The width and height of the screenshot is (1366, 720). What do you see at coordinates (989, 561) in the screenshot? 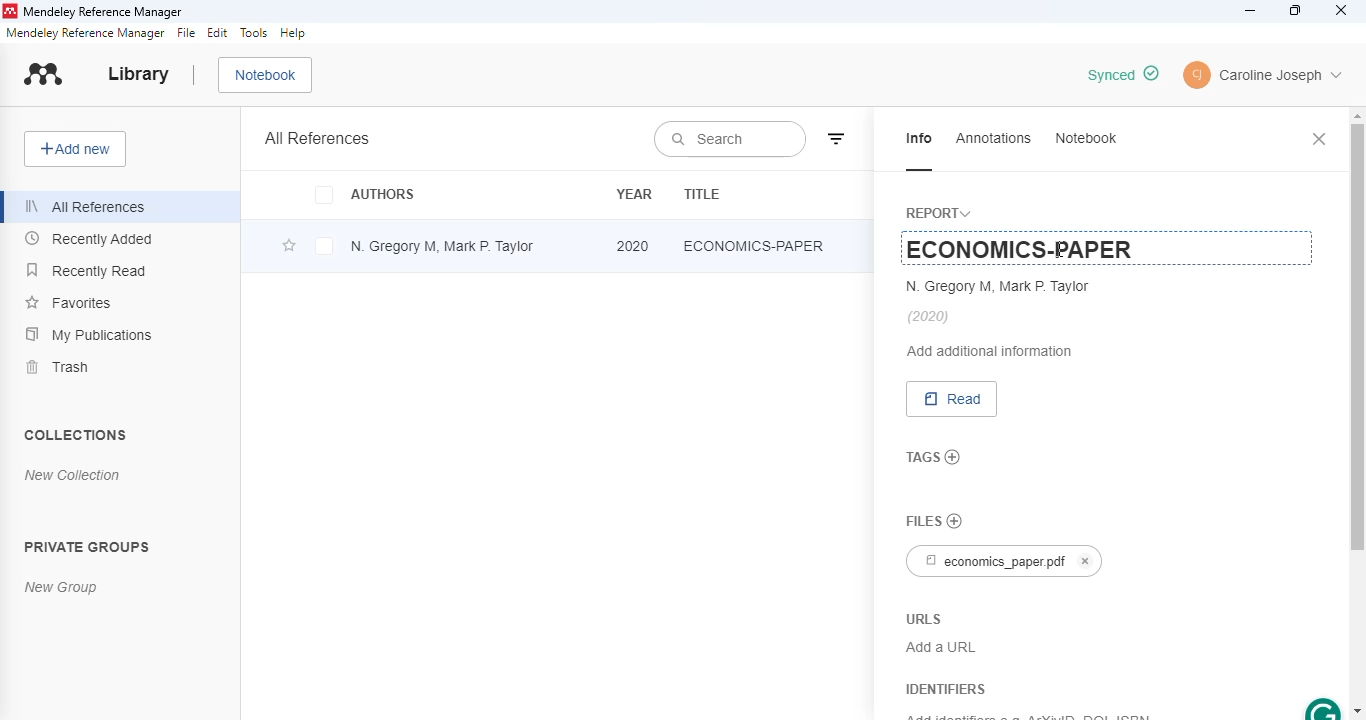
I see `economics_paper.pdf` at bounding box center [989, 561].